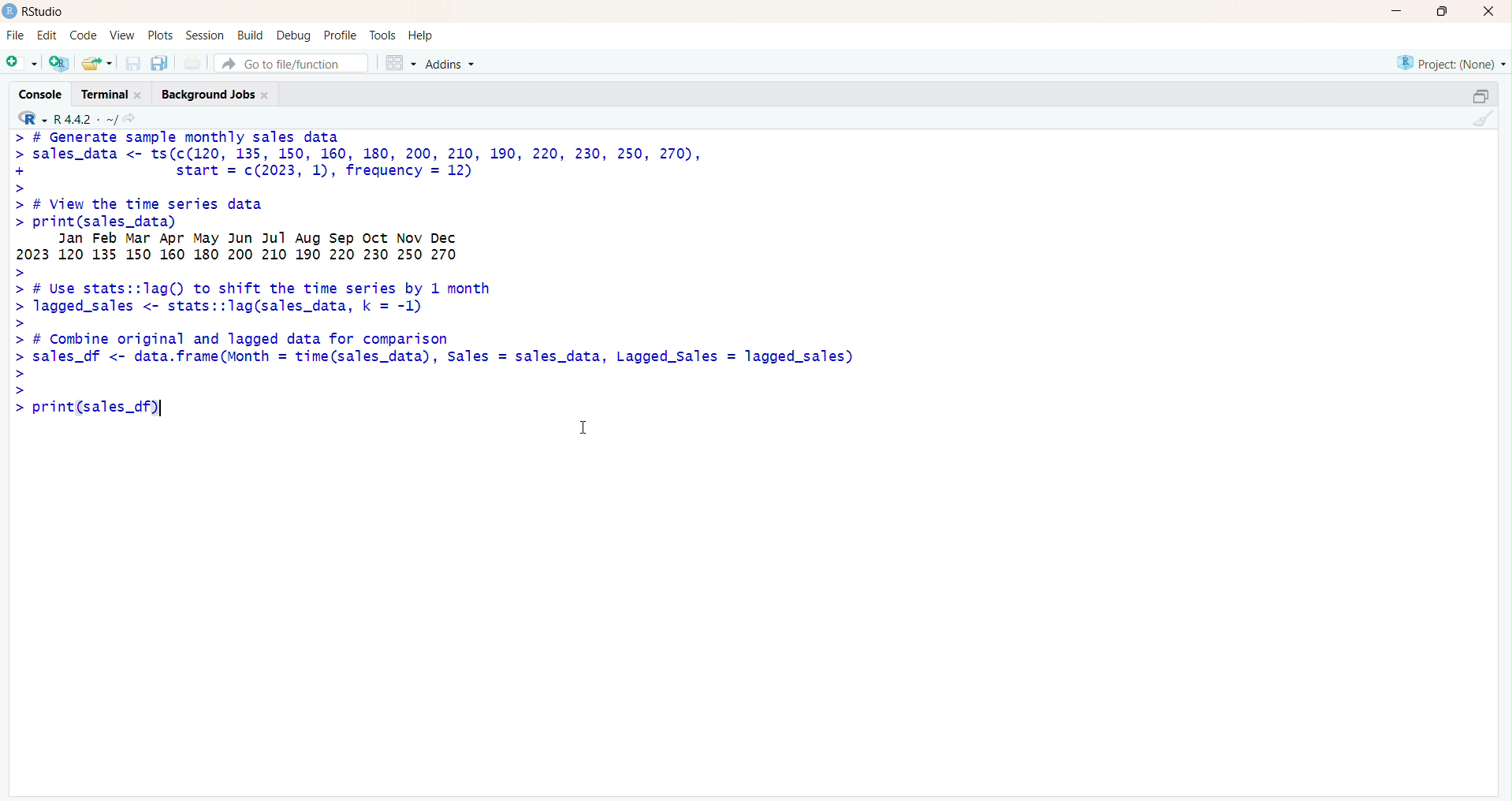 This screenshot has height=801, width=1512. I want to click on session, so click(205, 35).